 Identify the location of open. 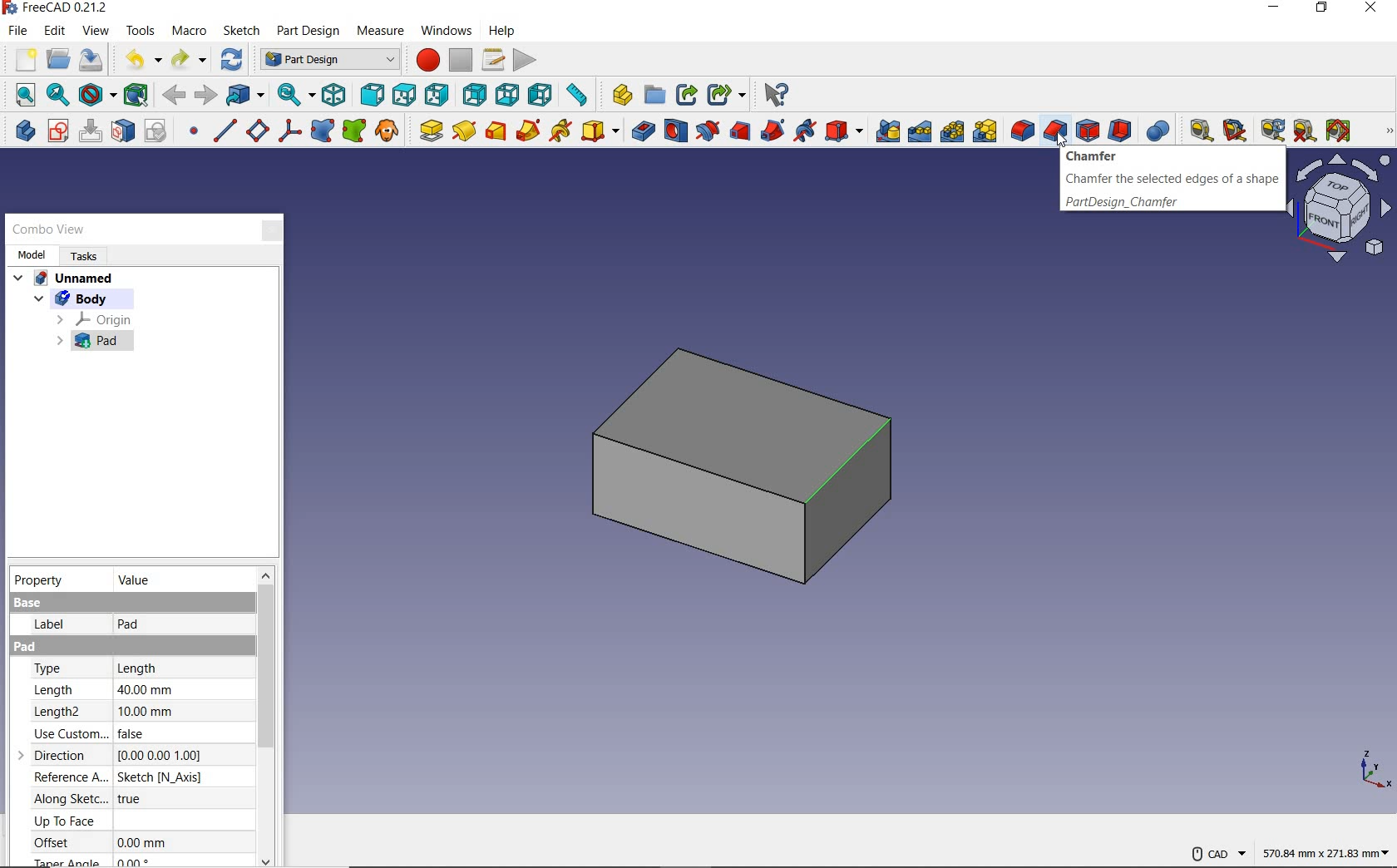
(58, 59).